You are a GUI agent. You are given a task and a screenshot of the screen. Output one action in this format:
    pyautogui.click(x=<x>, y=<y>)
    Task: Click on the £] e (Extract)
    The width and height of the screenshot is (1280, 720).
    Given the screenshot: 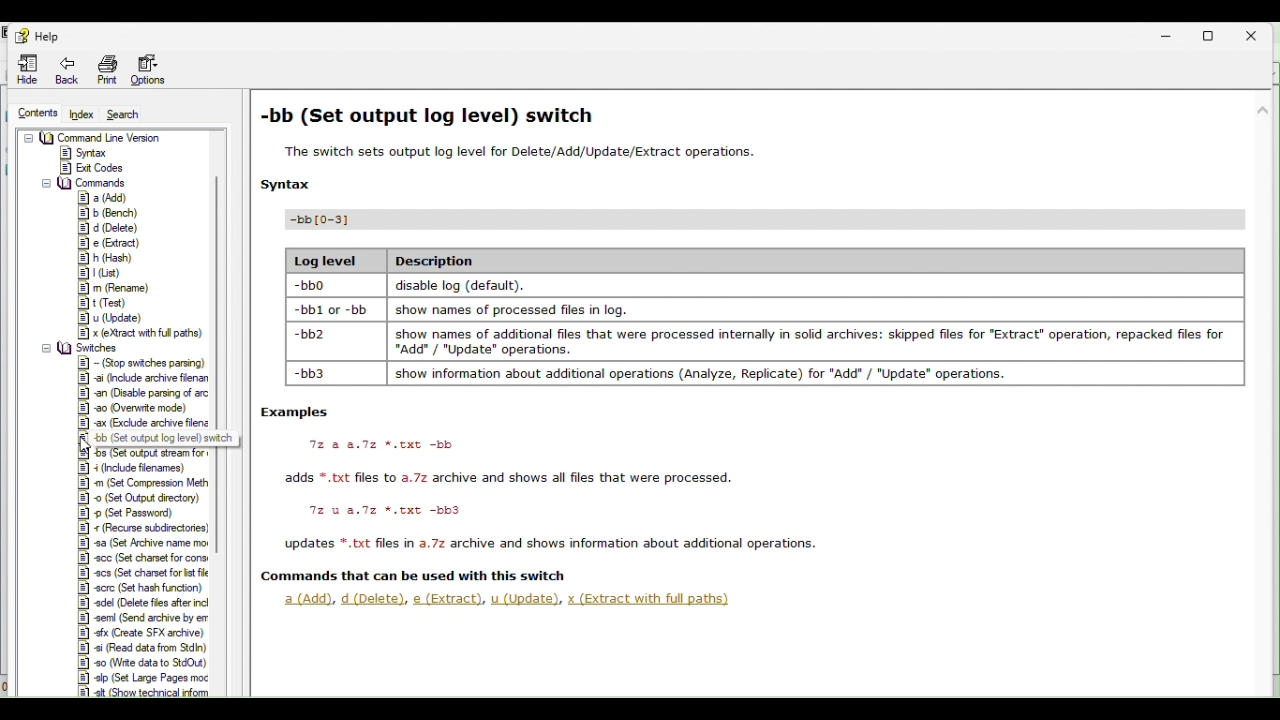 What is the action you would take?
    pyautogui.click(x=114, y=244)
    